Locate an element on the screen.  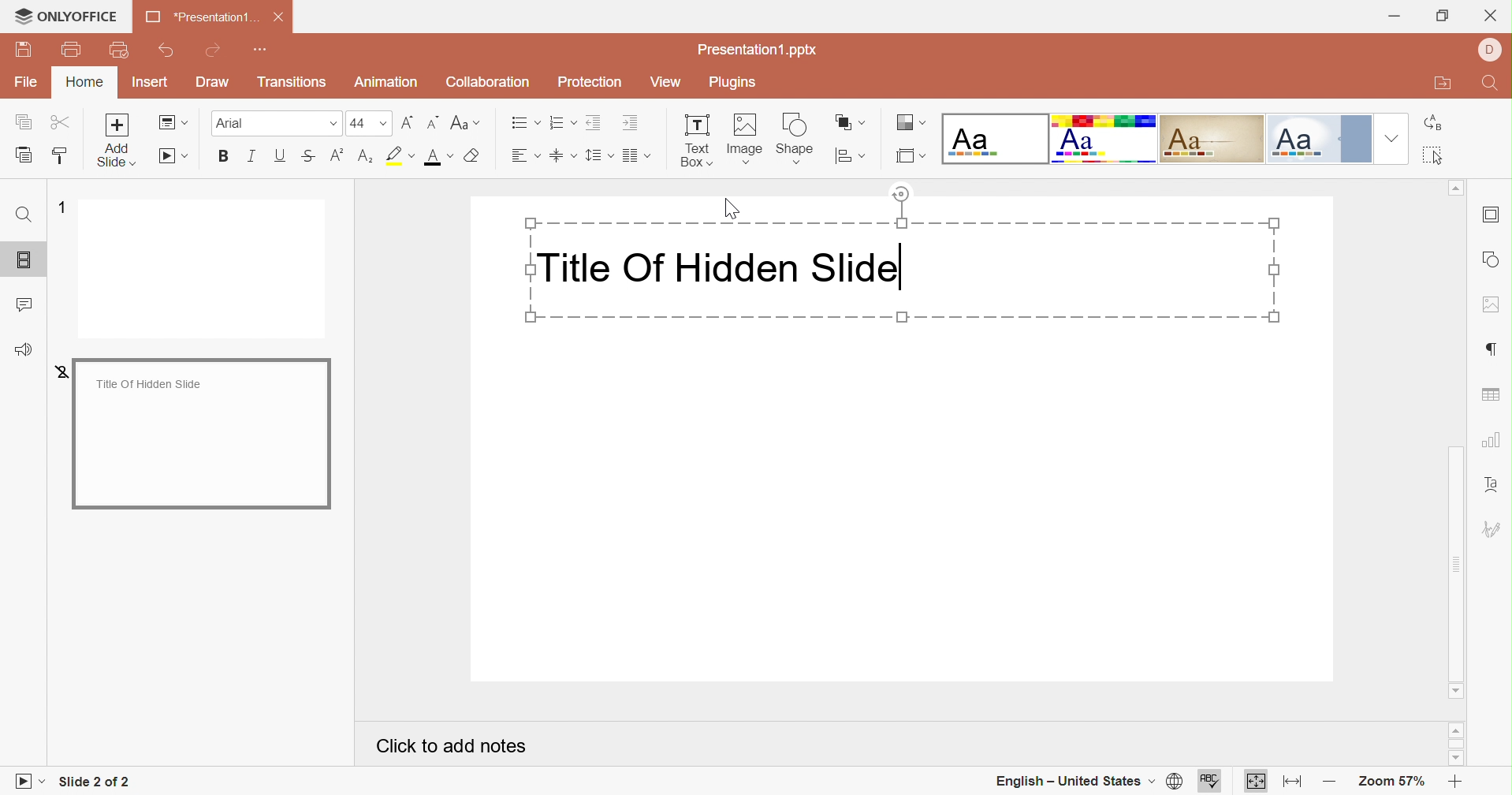
Feedback & Support is located at coordinates (23, 352).